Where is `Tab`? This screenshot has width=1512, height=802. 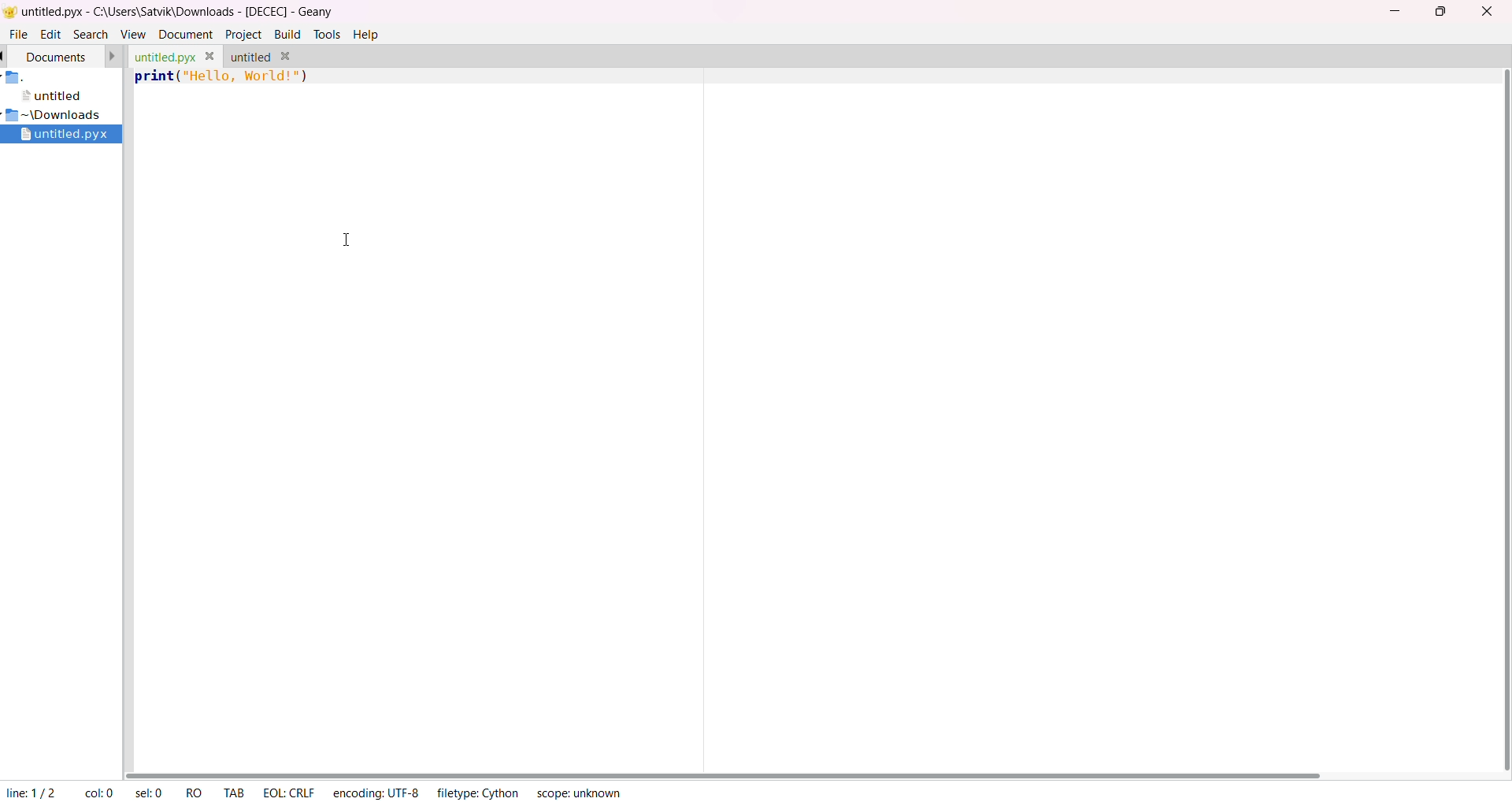 Tab is located at coordinates (232, 792).